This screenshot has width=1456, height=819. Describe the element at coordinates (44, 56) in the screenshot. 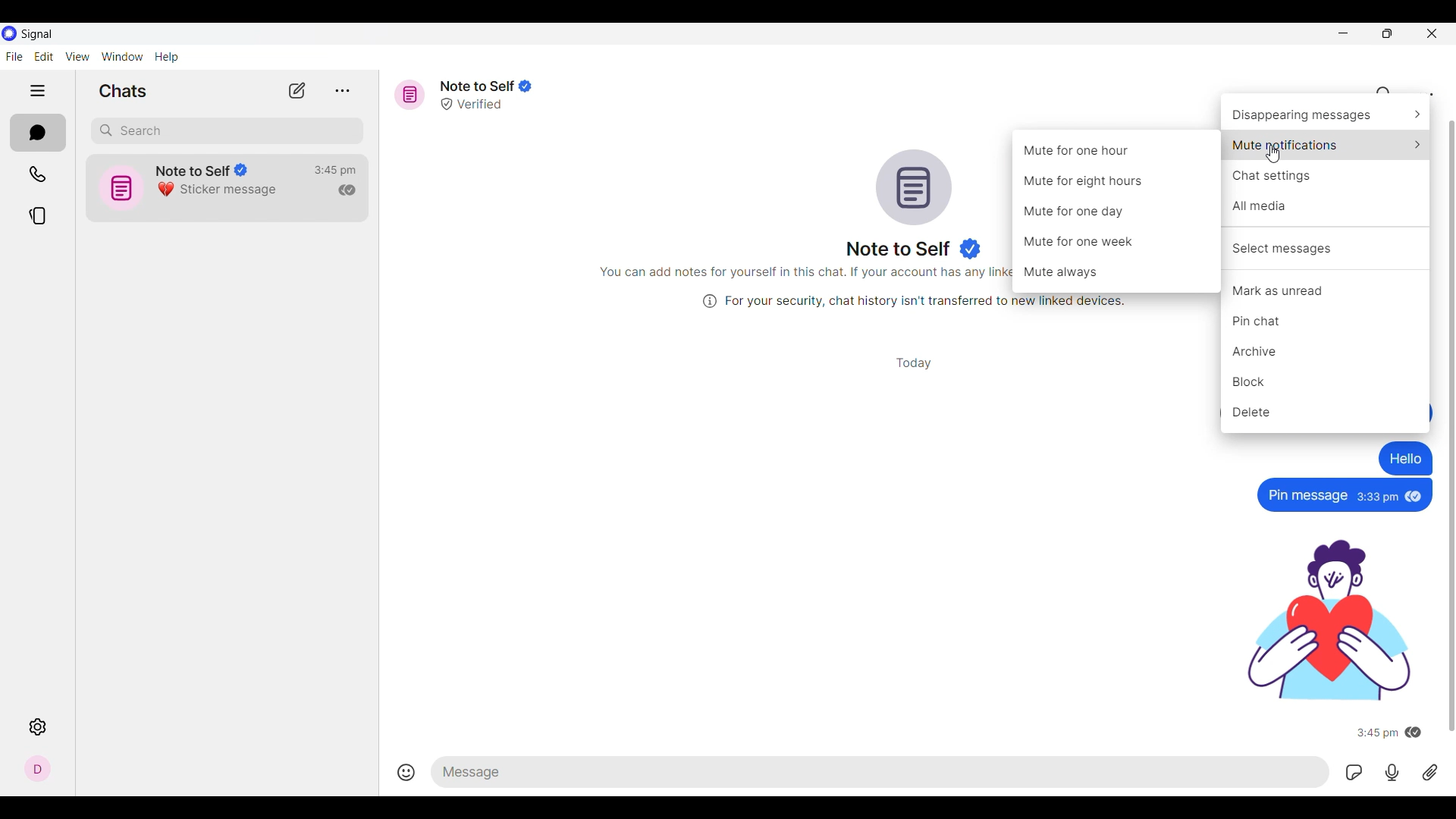

I see `Edit menu` at that location.